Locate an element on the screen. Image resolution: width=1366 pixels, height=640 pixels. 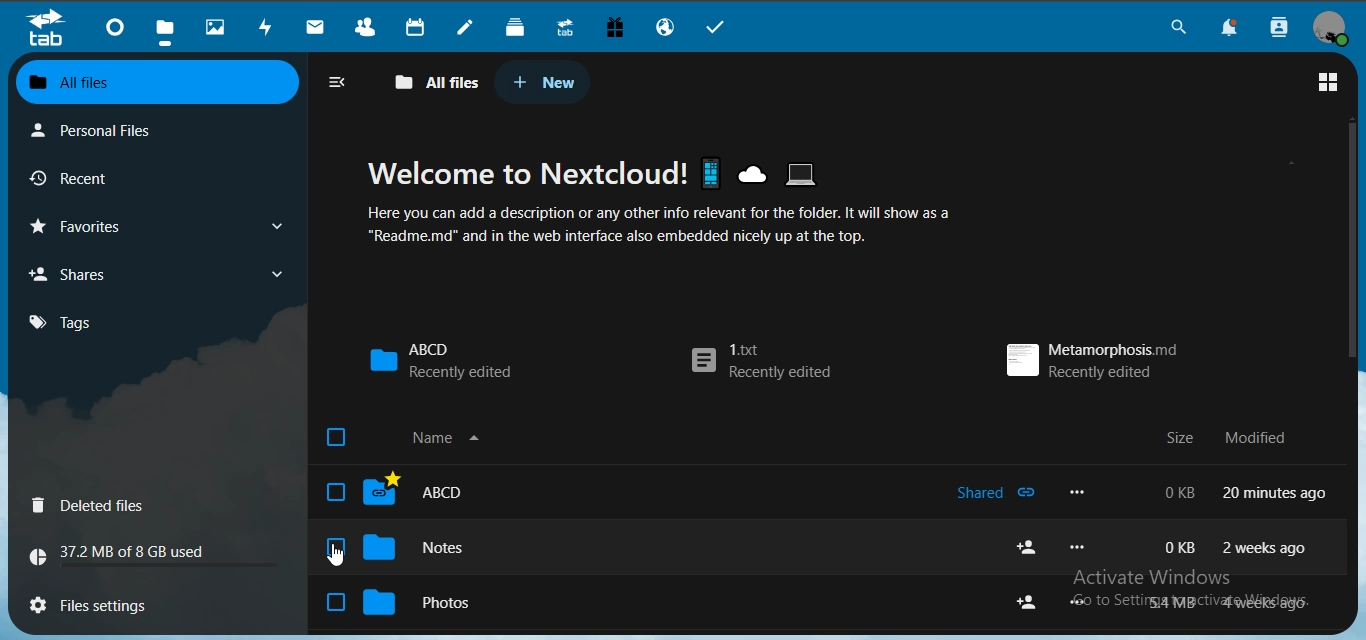
favorites is located at coordinates (162, 223).